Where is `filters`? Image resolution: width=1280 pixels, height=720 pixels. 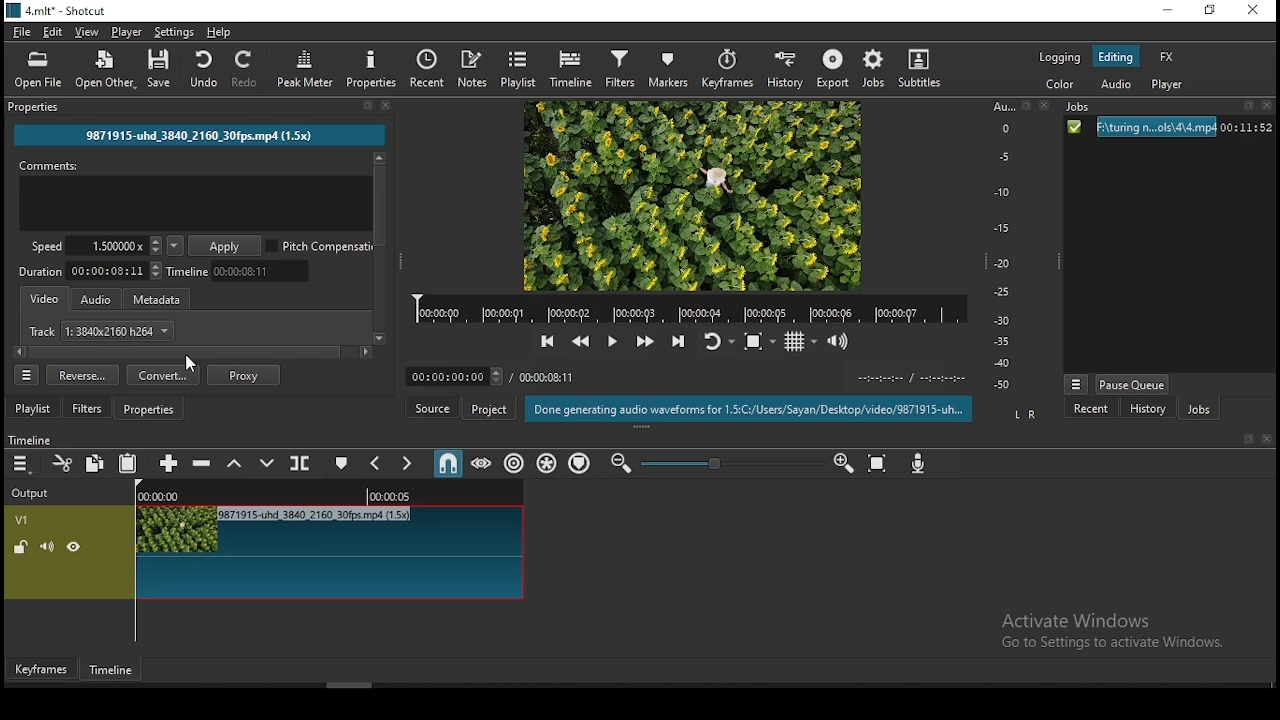
filters is located at coordinates (623, 67).